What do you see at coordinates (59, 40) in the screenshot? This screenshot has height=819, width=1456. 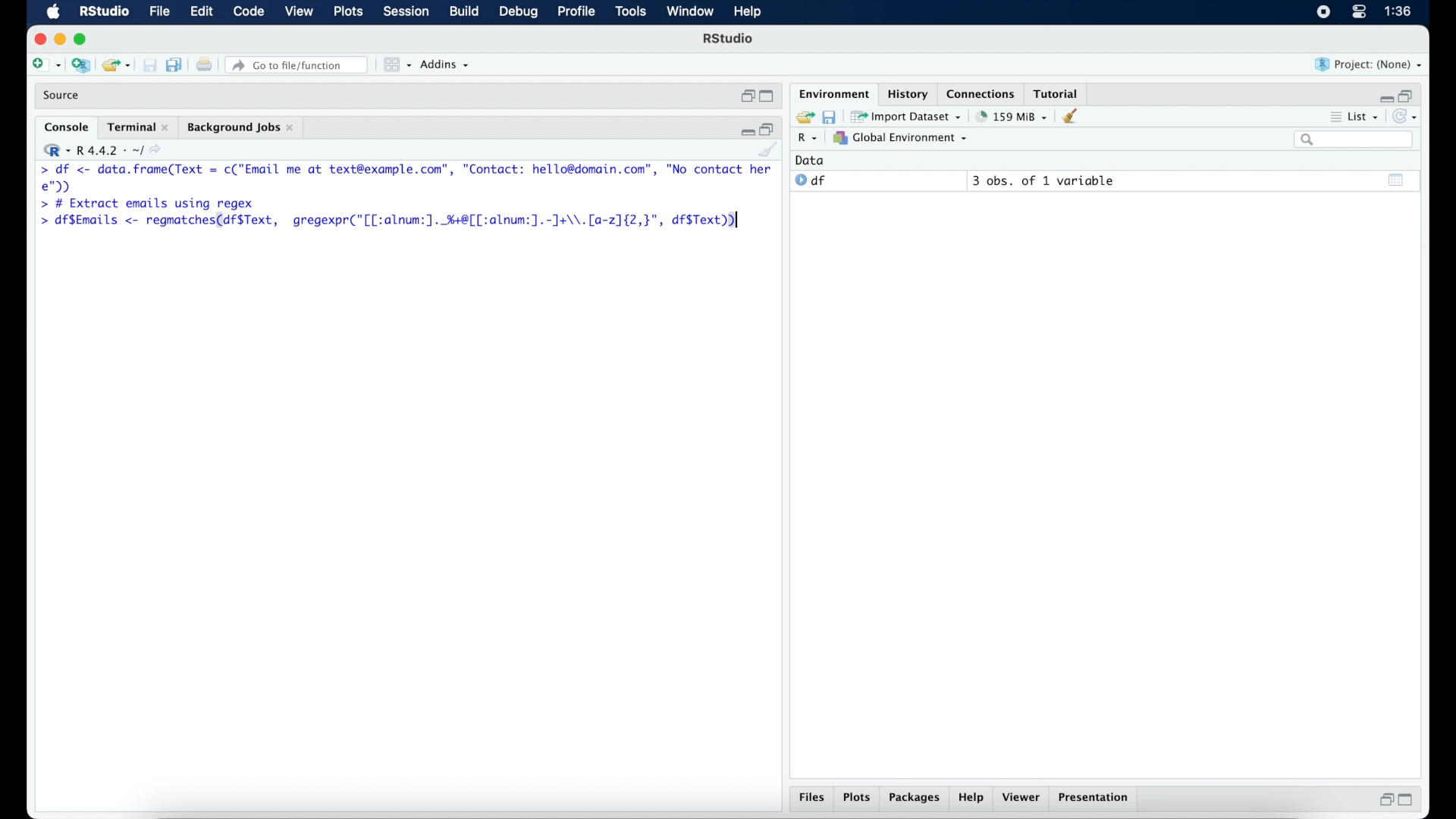 I see `minimize` at bounding box center [59, 40].